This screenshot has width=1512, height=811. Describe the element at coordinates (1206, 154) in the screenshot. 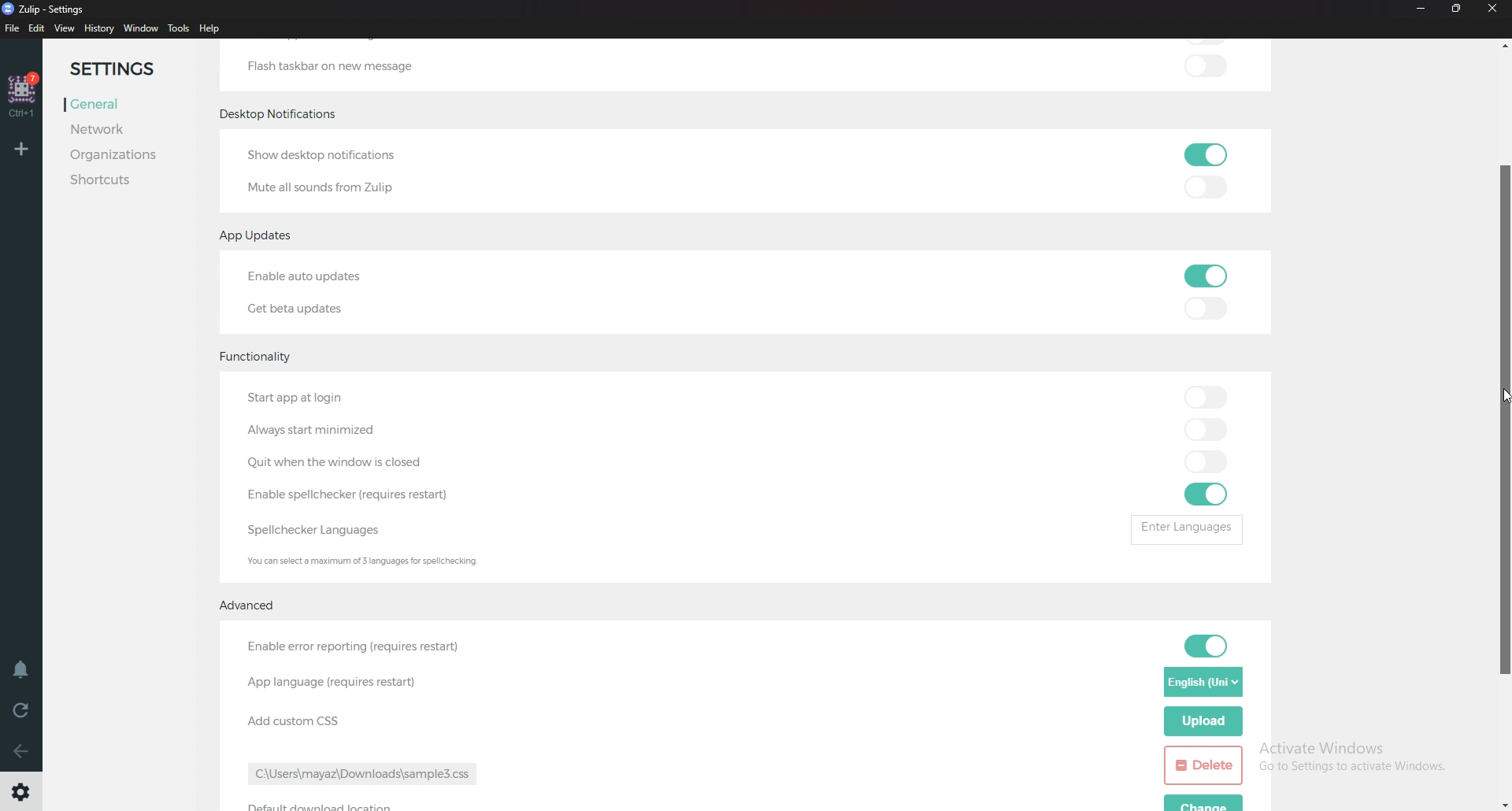

I see `toggle` at that location.